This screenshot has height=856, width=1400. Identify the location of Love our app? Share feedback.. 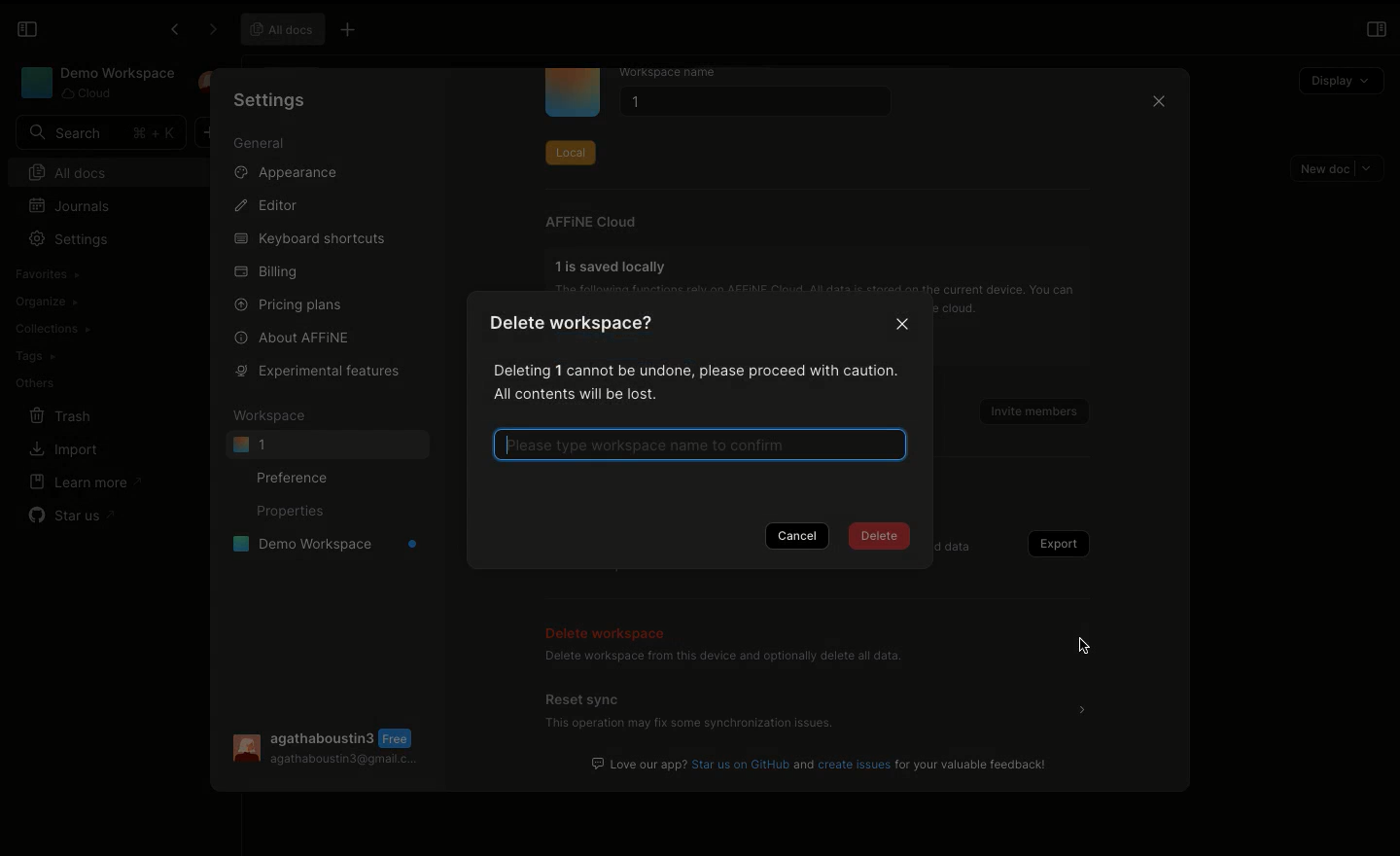
(822, 764).